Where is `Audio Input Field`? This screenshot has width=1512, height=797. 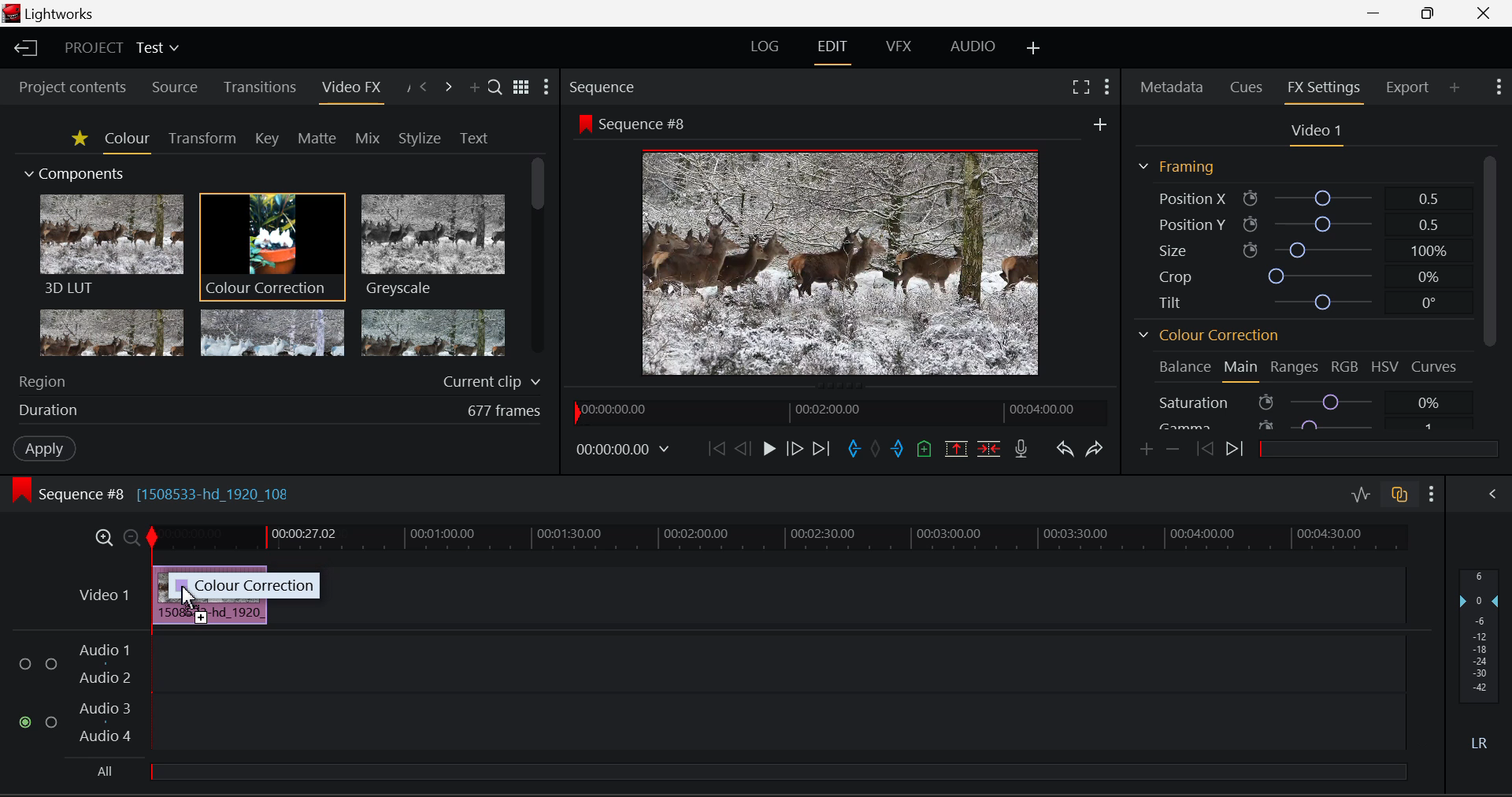 Audio Input Field is located at coordinates (776, 724).